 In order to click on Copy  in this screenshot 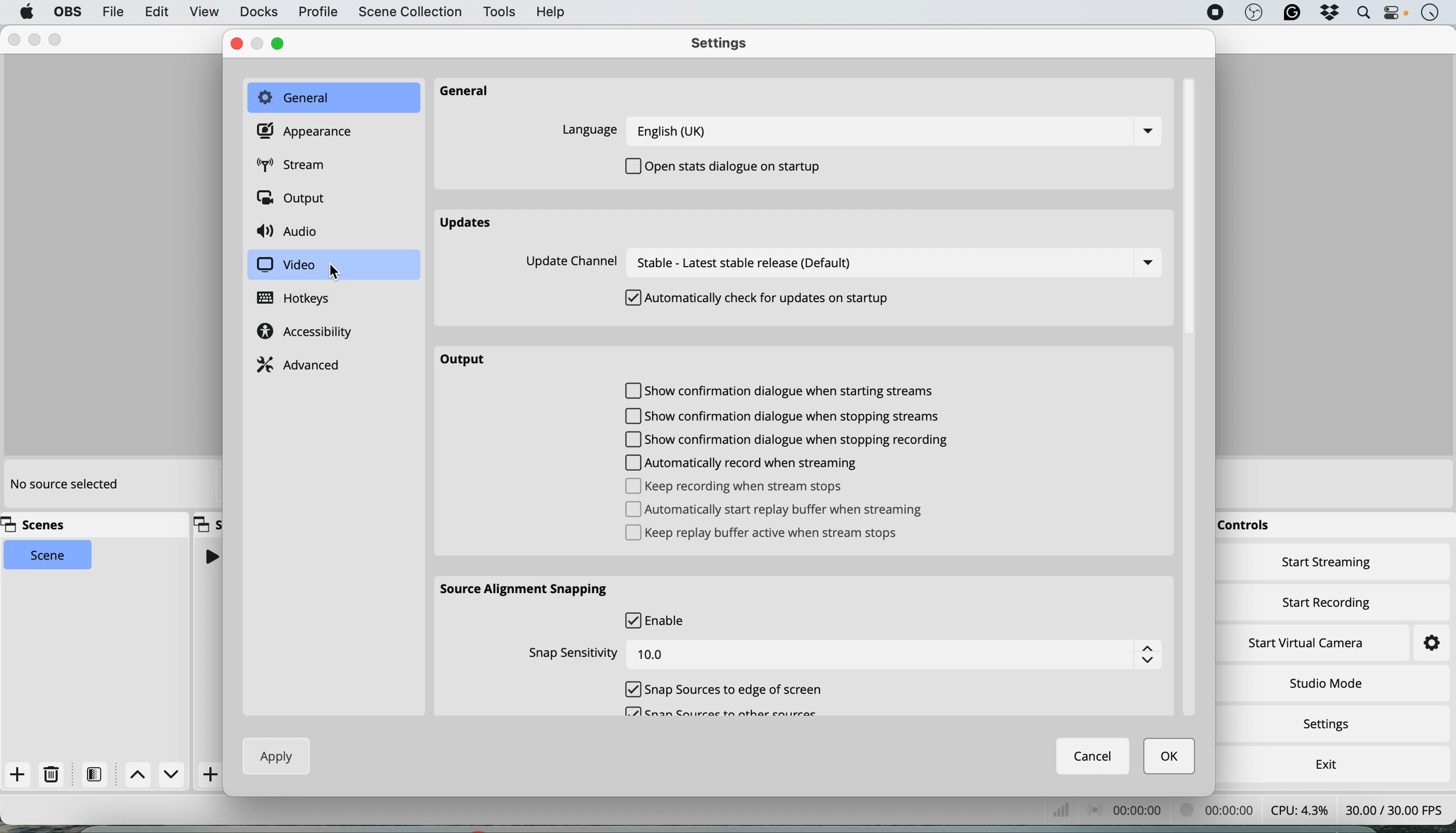, I will do `click(208, 523)`.